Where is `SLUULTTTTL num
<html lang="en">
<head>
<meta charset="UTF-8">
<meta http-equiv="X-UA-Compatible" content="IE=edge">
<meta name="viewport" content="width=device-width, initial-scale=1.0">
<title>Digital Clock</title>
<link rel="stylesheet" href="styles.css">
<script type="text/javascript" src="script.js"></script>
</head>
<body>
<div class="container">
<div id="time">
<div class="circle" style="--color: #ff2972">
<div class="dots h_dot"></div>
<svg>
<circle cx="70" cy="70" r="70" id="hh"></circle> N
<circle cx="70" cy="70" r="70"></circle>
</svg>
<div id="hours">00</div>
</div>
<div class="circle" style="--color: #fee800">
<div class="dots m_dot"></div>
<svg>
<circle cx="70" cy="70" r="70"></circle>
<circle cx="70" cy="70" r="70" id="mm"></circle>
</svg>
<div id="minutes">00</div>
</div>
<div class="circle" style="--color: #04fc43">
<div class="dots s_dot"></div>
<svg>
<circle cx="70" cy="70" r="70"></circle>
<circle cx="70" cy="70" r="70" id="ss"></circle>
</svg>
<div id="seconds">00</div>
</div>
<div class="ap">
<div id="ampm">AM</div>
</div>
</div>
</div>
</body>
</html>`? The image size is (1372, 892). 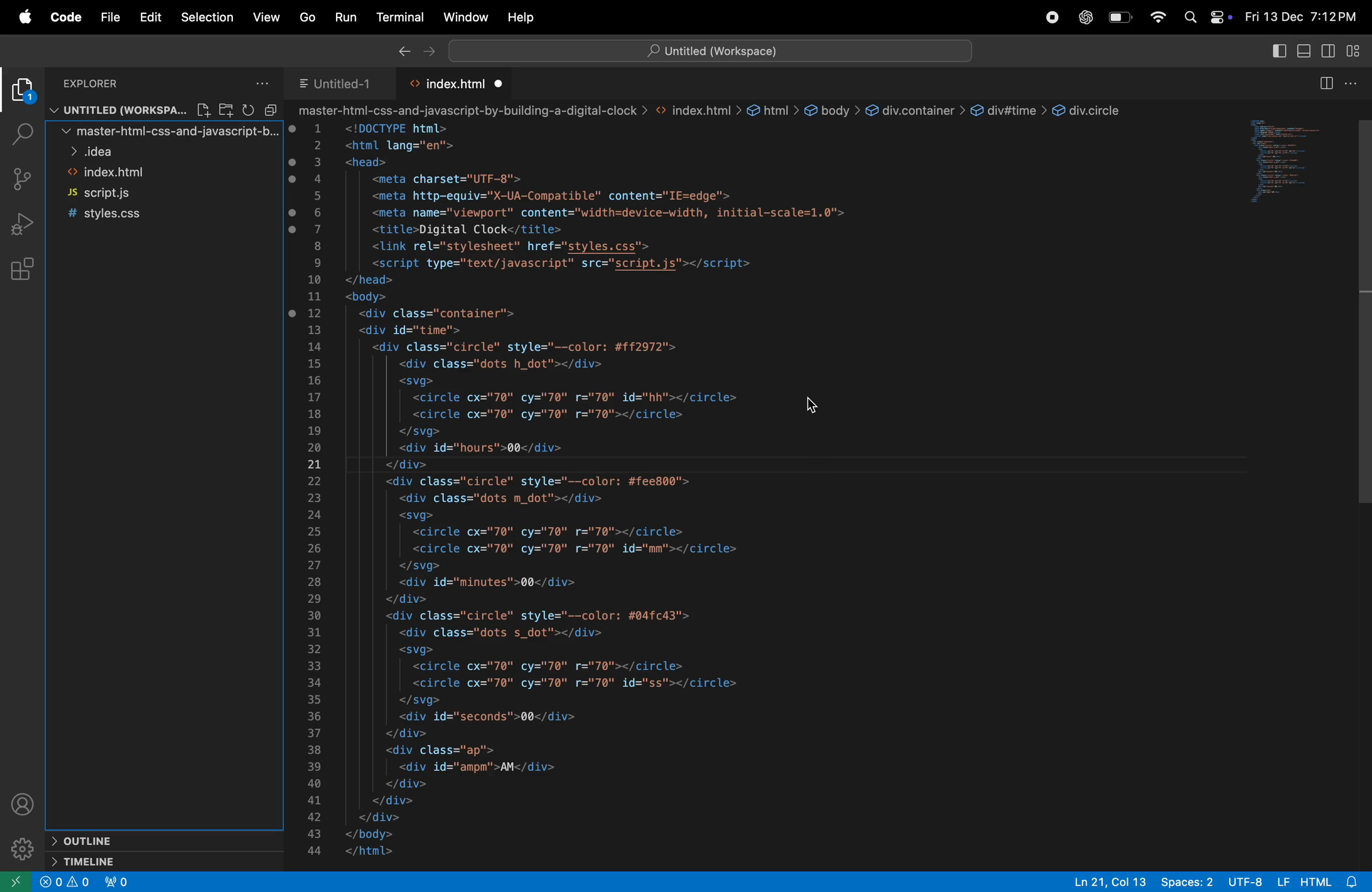
SLUULTTTTL num
<html lang="en">
<head>
<meta charset="UTF-8">
<meta http-equiv="X-UA-Compatible" content="IE=edge">
<meta name="viewport" content="width=device-width, initial-scale=1.0">
<title>Digital Clock</title>
<link rel="stylesheet" href="styles.css">
<script type="text/javascript" src="script.js"></script>
</head>
<body>
<div class="container">
<div id="time">
<div class="circle" style="--color: #ff2972">
<div class="dots h_dot"></div>
<svg>
<circle cx="70" cy="70" r="70" id="hh"></circle> N
<circle cx="70" cy="70" r="70"></circle>
</svg>
<div id="hours">00</div>
</div>
<div class="circle" style="--color: #fee800">
<div class="dots m_dot"></div>
<svg>
<circle cx="70" cy="70" r="70"></circle>
<circle cx="70" cy="70" r="70" id="mm"></circle>
</svg>
<div id="minutes">00</div>
</div>
<div class="circle" style="--color: #04fc43">
<div class="dots s_dot"></div>
<svg>
<circle cx="70" cy="70" r="70"></circle>
<circle cx="70" cy="70" r="70" id="ss"></circle>
</svg>
<div id="seconds">00</div>
</div>
<div class="ap">
<div id="ampm">AM</div>
</div>
</div>
</div>
</body>
</html> is located at coordinates (616, 490).